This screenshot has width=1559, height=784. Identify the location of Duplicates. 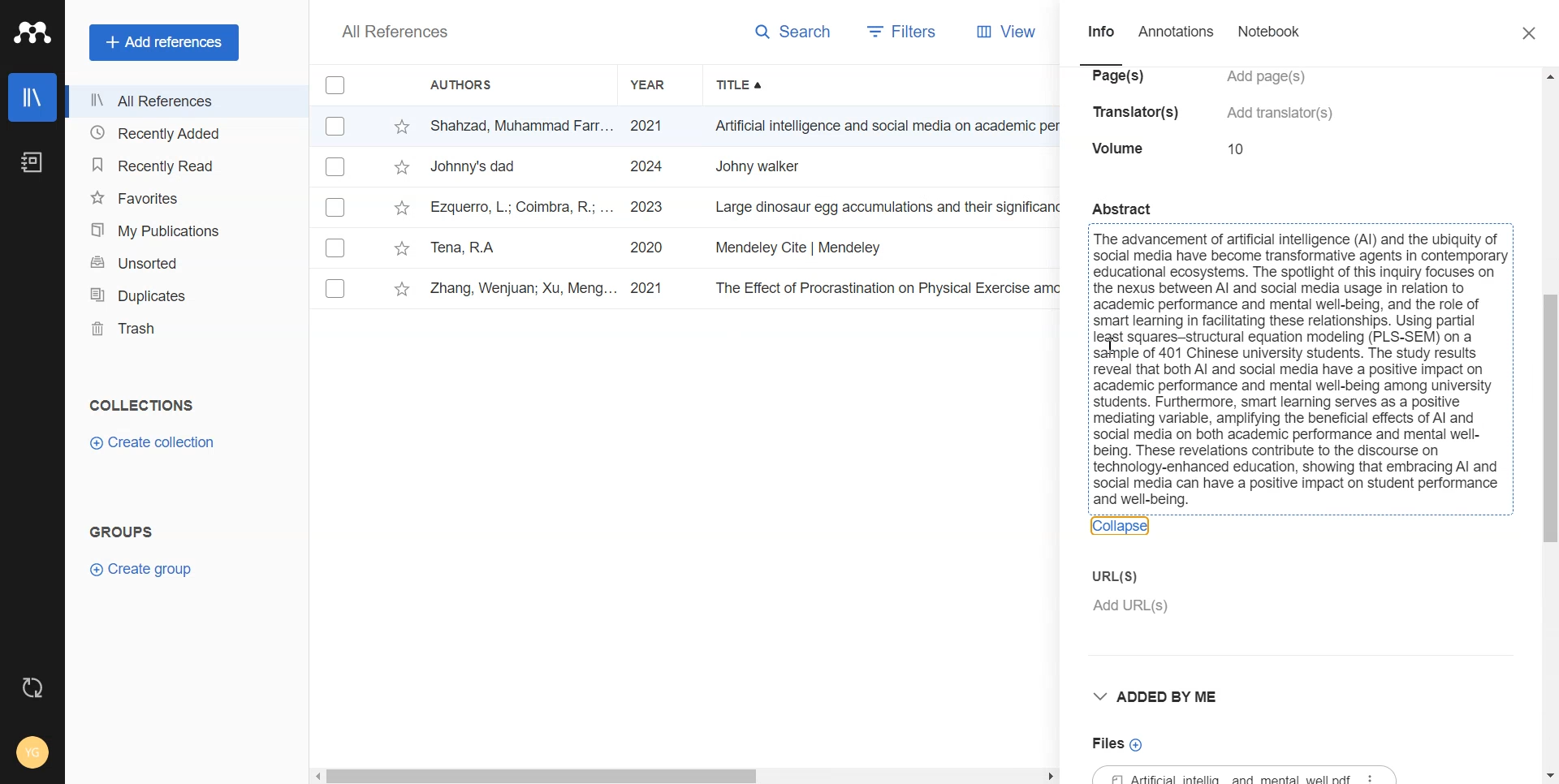
(175, 295).